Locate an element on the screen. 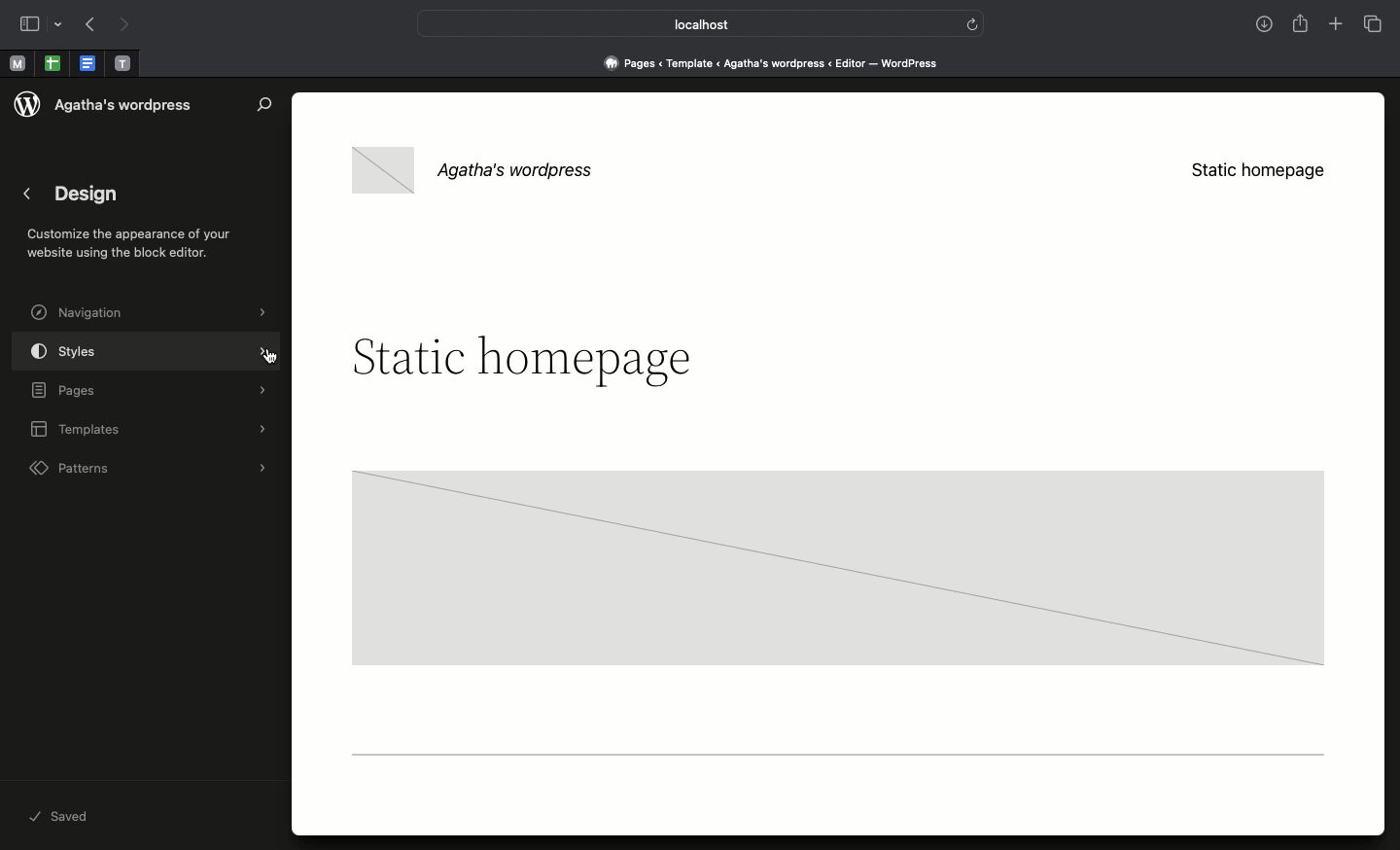  Design is located at coordinates (82, 200).